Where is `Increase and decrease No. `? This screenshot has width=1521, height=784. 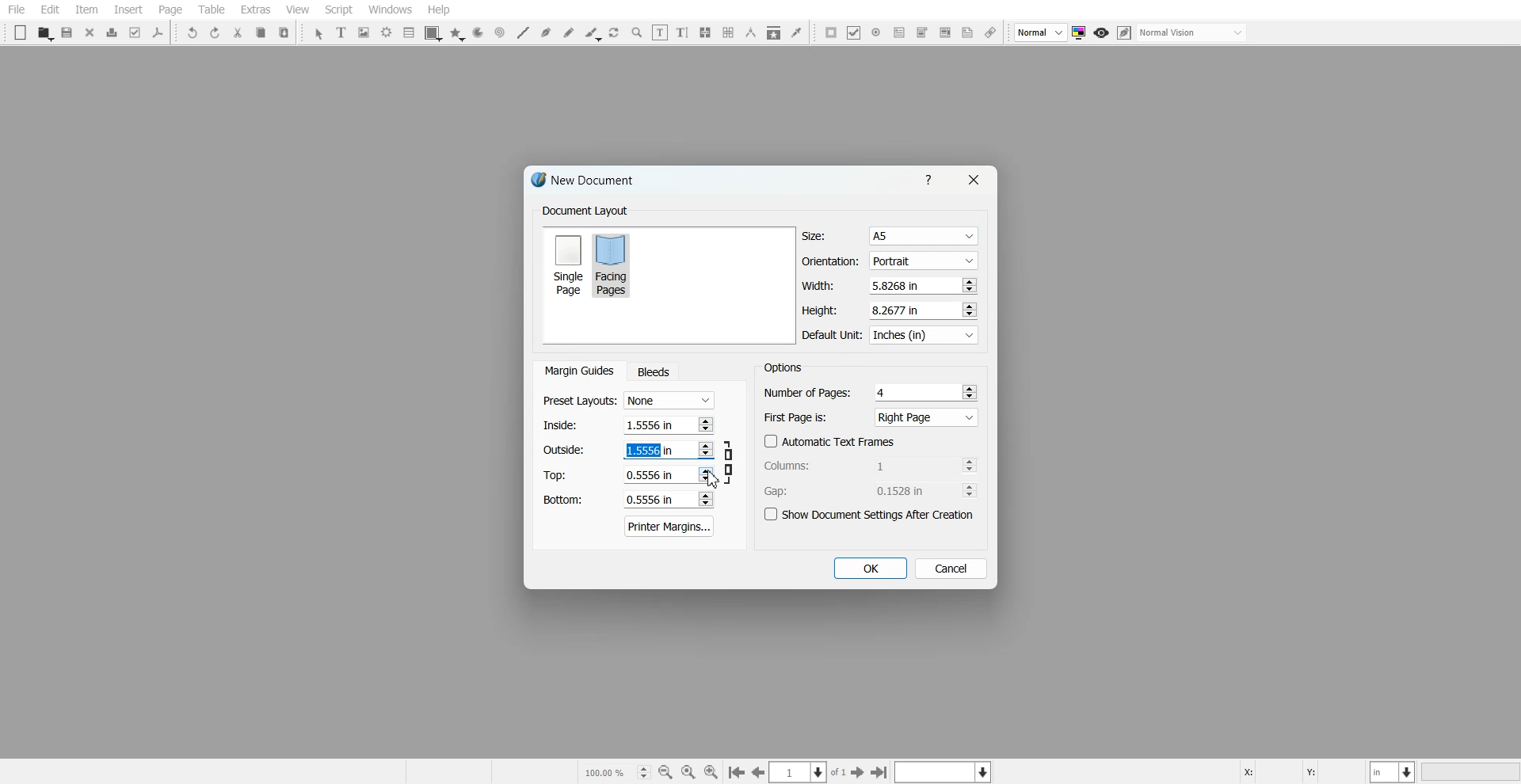 Increase and decrease No.  is located at coordinates (970, 490).